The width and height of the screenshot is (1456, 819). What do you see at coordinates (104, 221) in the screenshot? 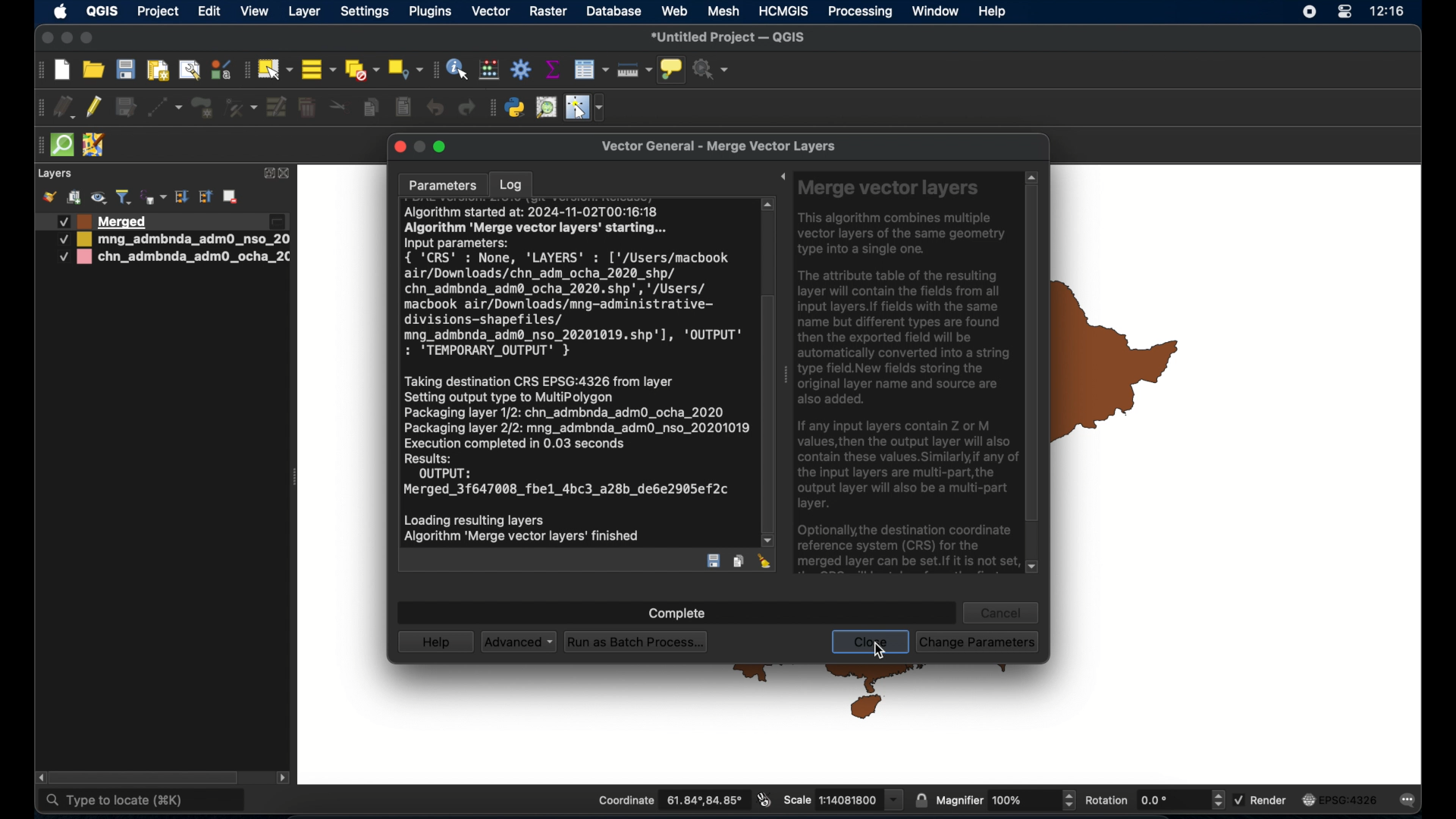
I see `merged layer 3` at bounding box center [104, 221].